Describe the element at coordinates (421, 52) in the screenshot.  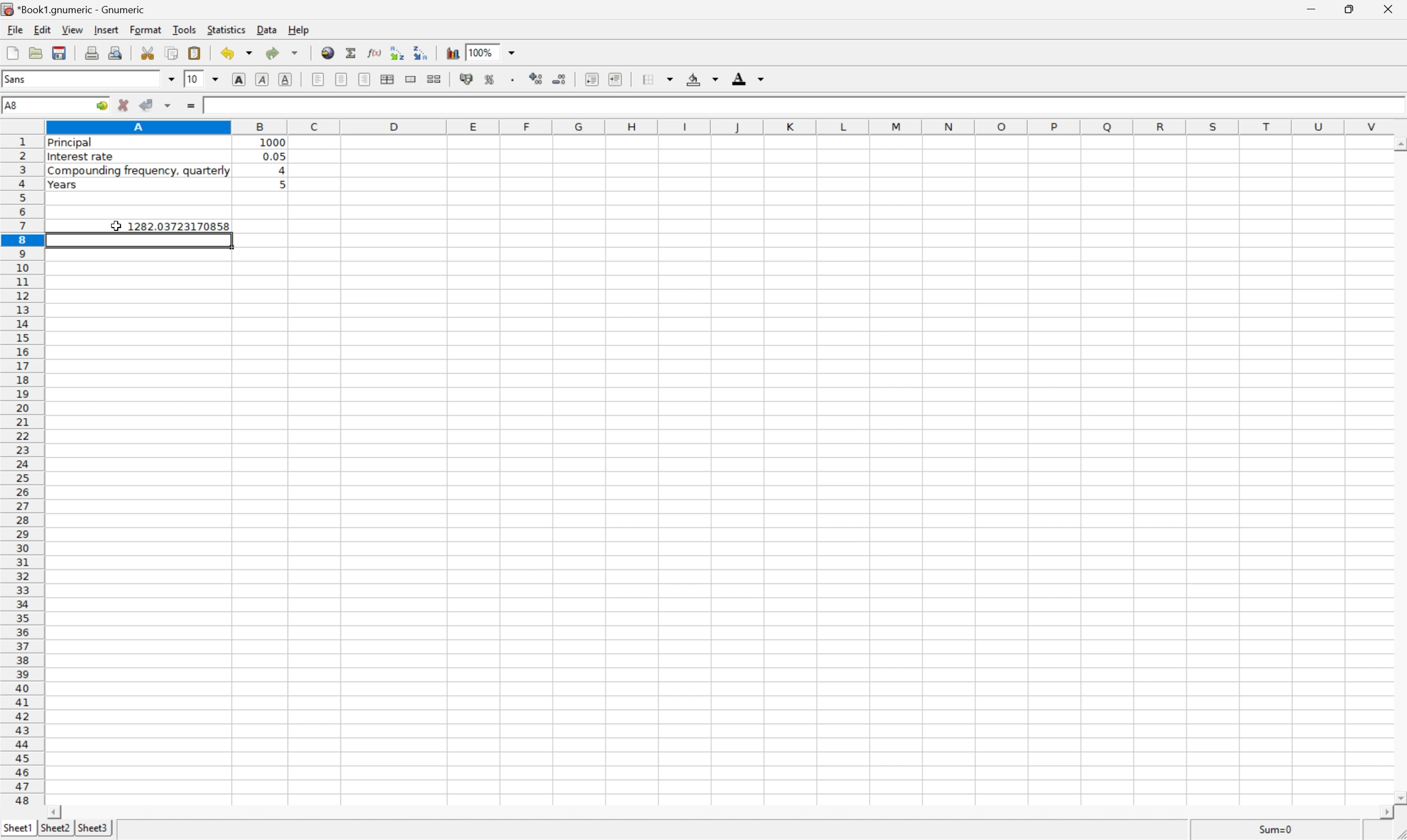
I see `Sort the selected region in descending order based on the first column selected` at that location.